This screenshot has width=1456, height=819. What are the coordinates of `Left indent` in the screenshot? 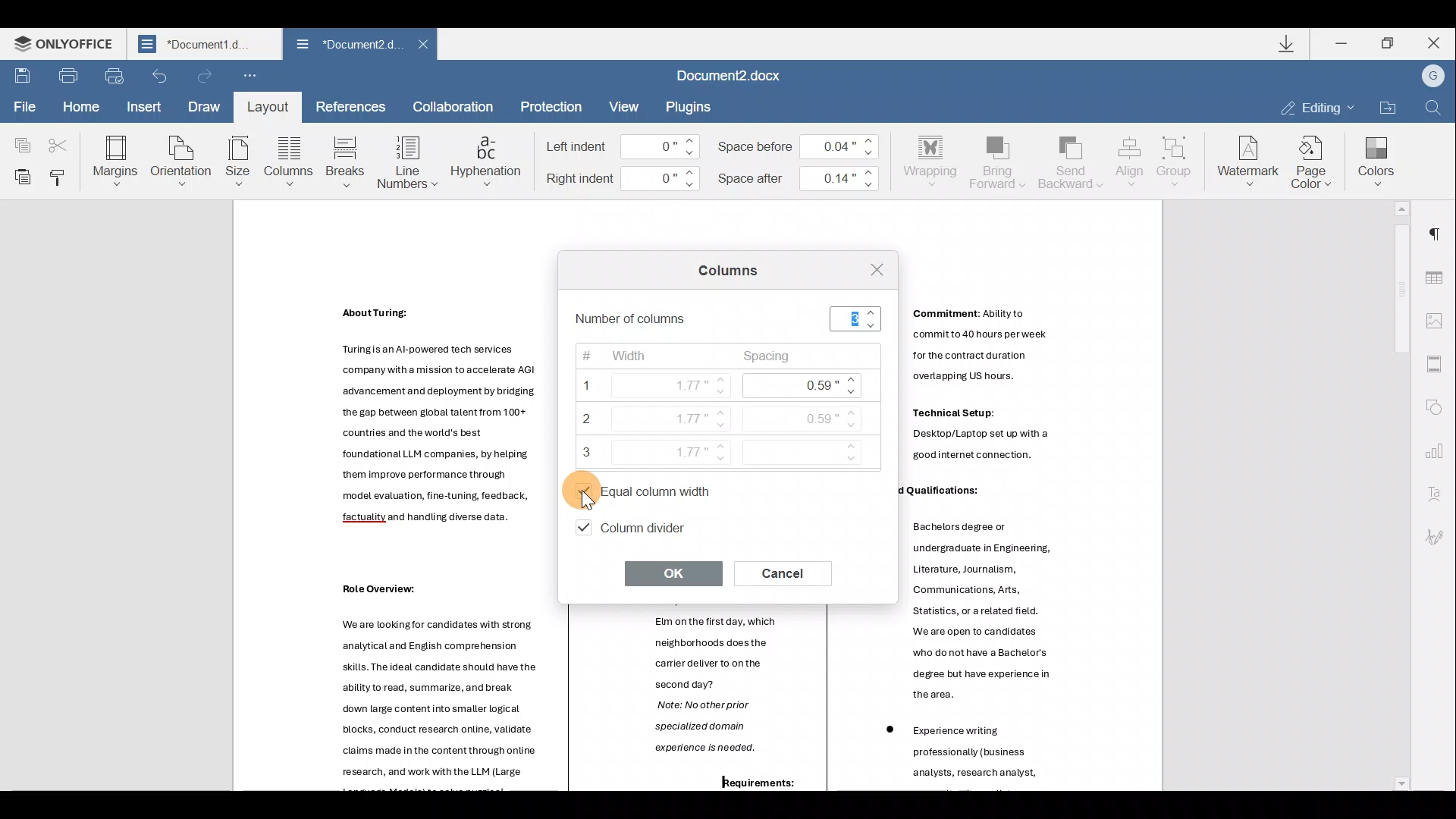 It's located at (623, 147).